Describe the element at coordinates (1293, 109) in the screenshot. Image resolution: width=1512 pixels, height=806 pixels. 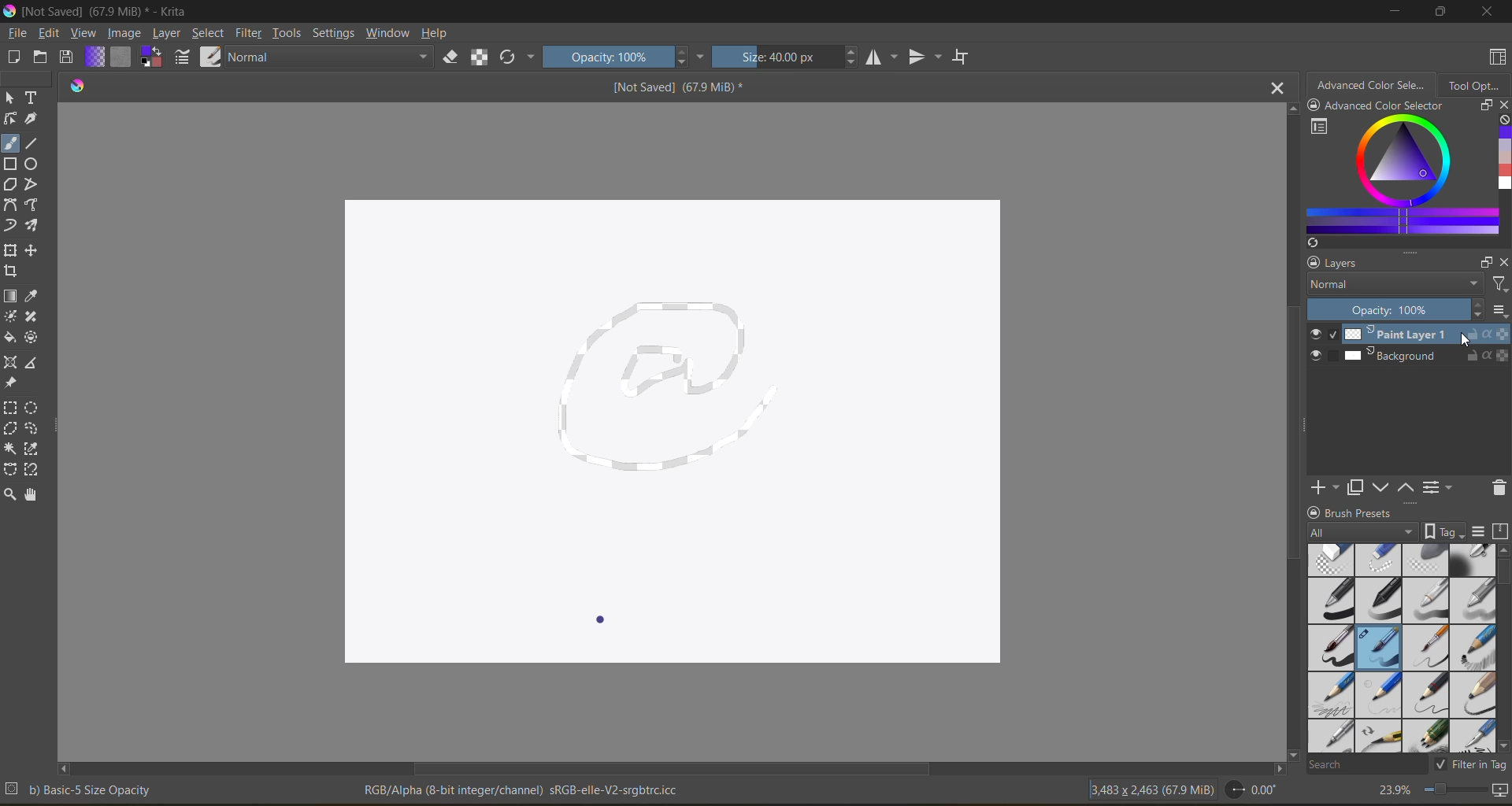
I see `scroll up` at that location.